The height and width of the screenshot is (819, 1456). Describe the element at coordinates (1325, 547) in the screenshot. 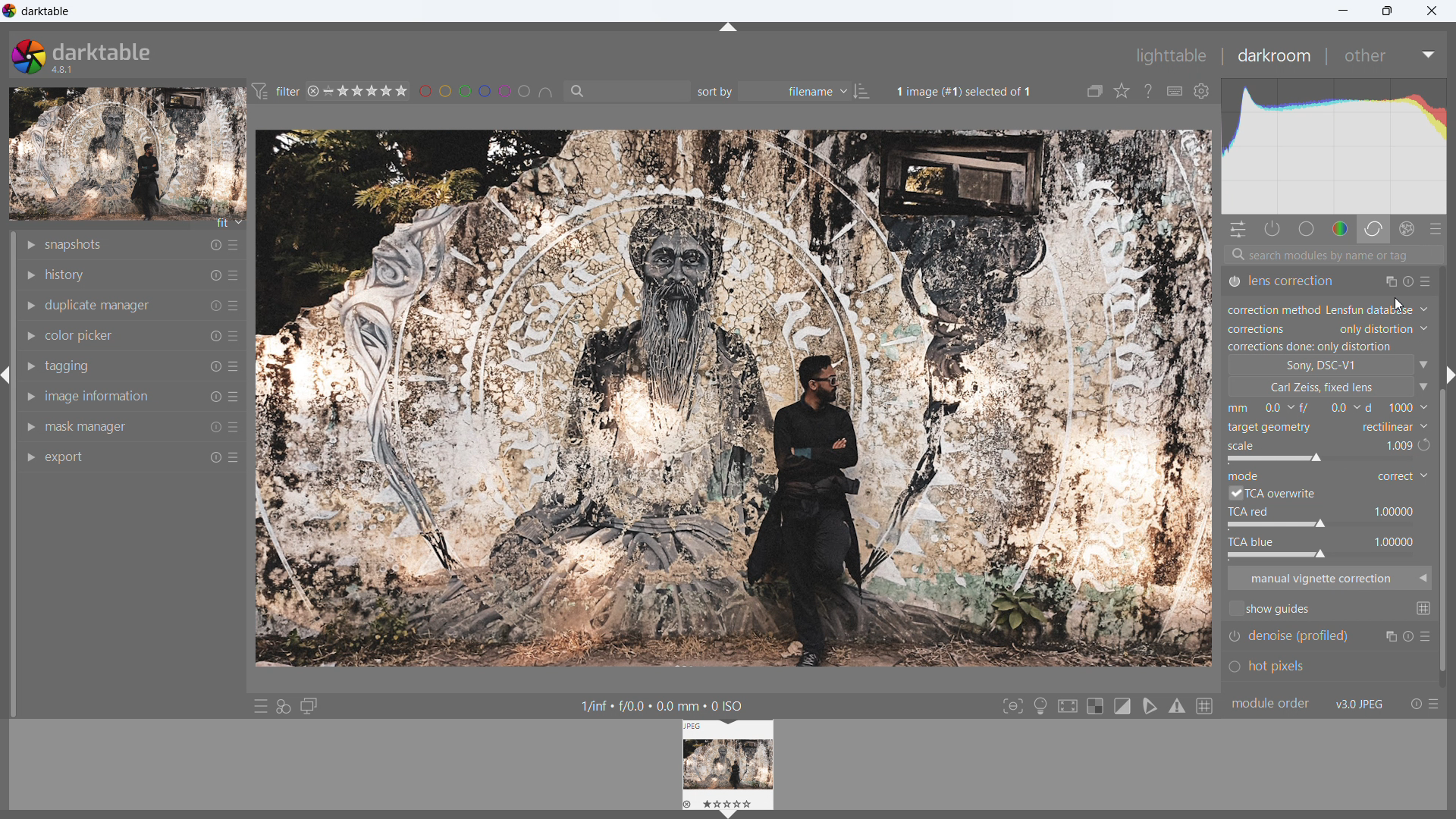

I see `tca blue` at that location.